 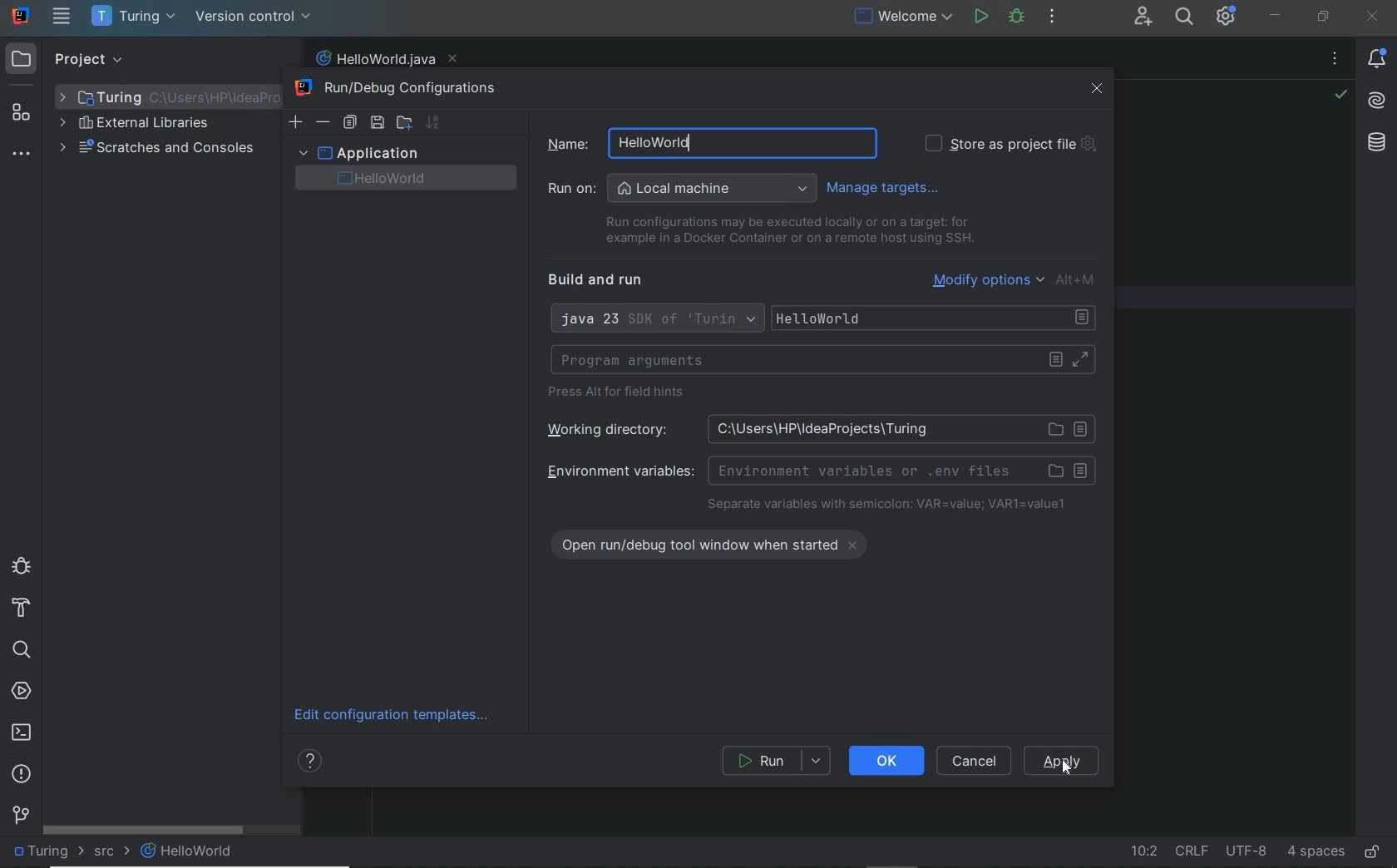 What do you see at coordinates (1247, 851) in the screenshot?
I see `file encoding` at bounding box center [1247, 851].